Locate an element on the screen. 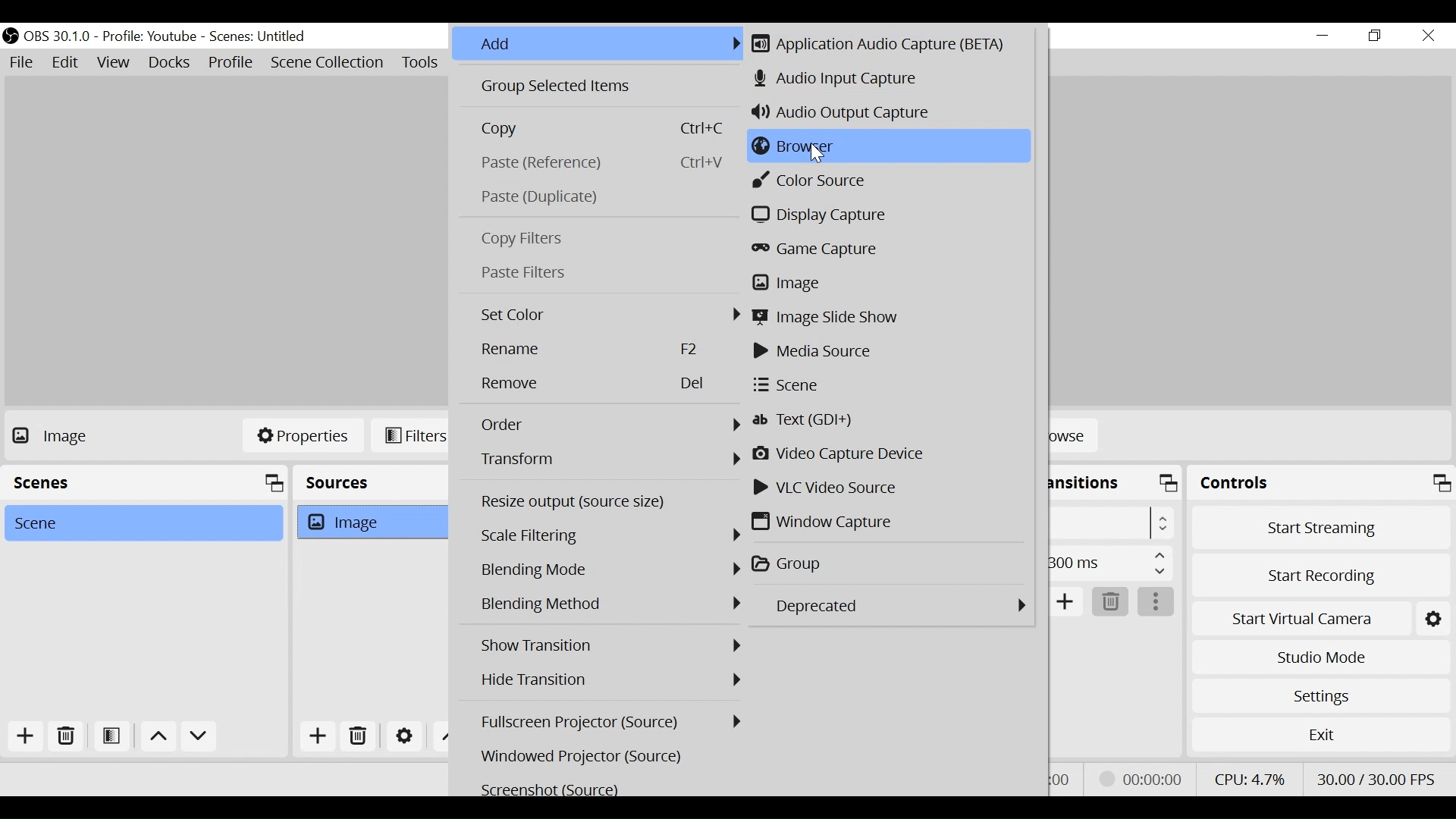  Add Source is located at coordinates (317, 738).